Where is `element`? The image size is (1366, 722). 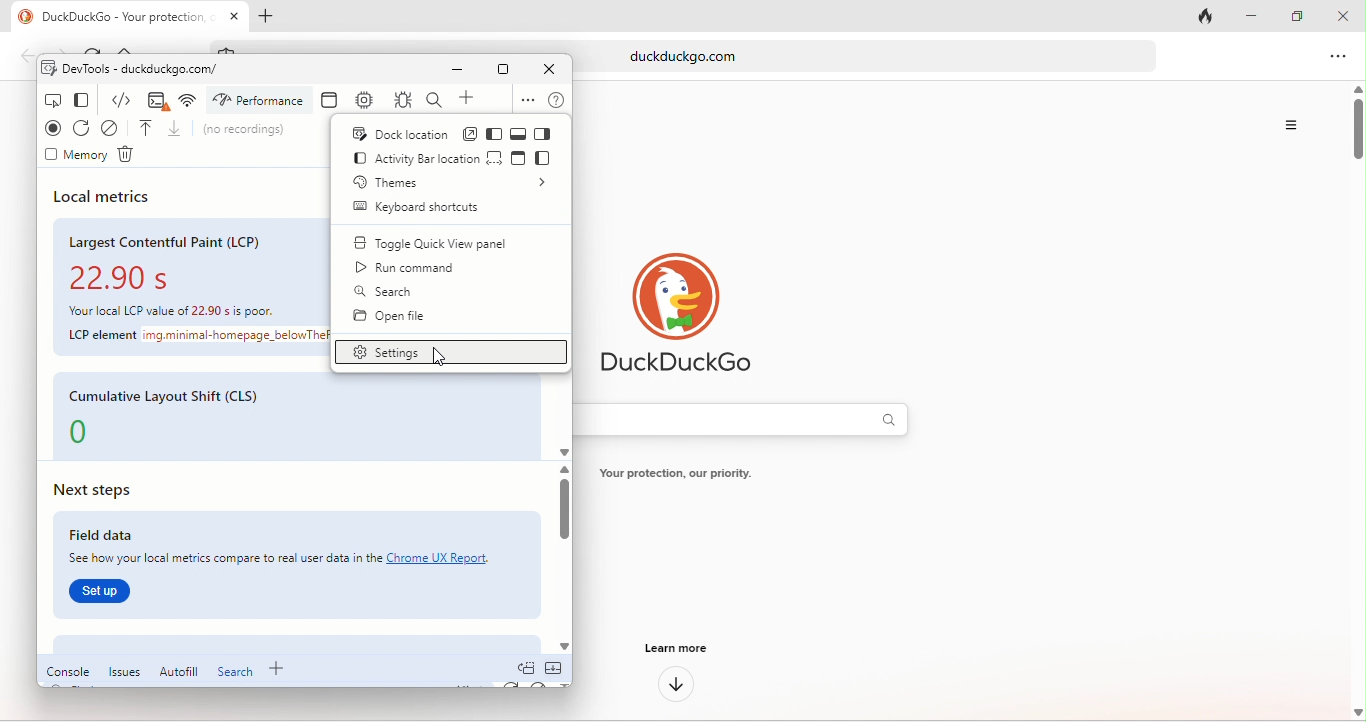 element is located at coordinates (120, 97).